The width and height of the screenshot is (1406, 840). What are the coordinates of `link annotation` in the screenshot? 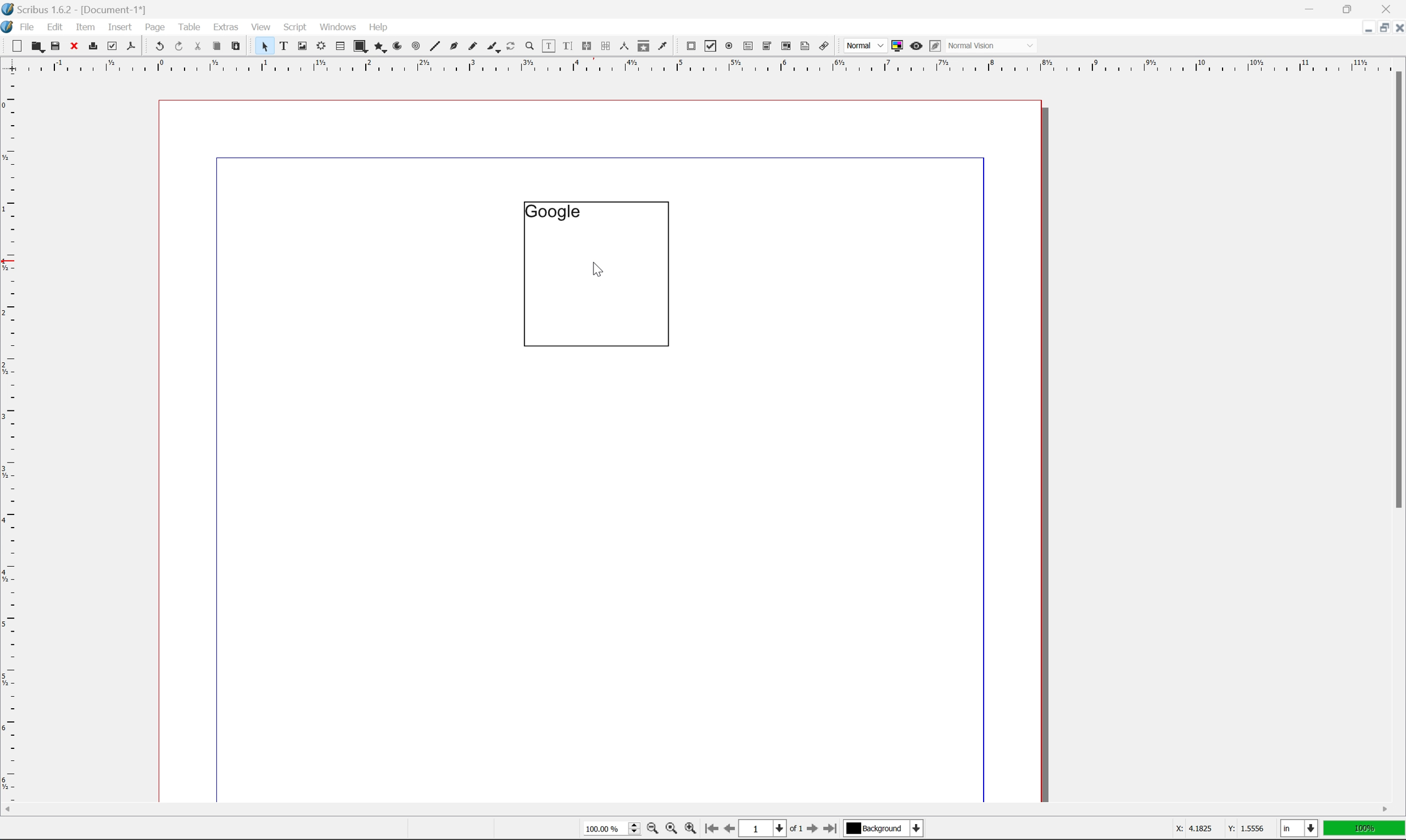 It's located at (824, 47).